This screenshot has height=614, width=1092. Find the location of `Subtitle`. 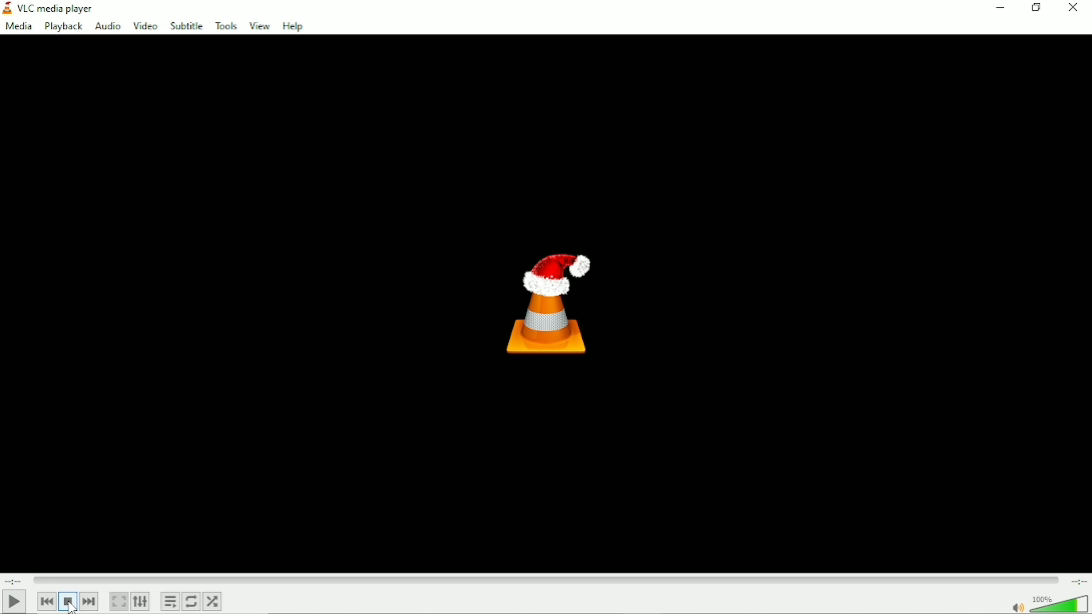

Subtitle is located at coordinates (186, 27).